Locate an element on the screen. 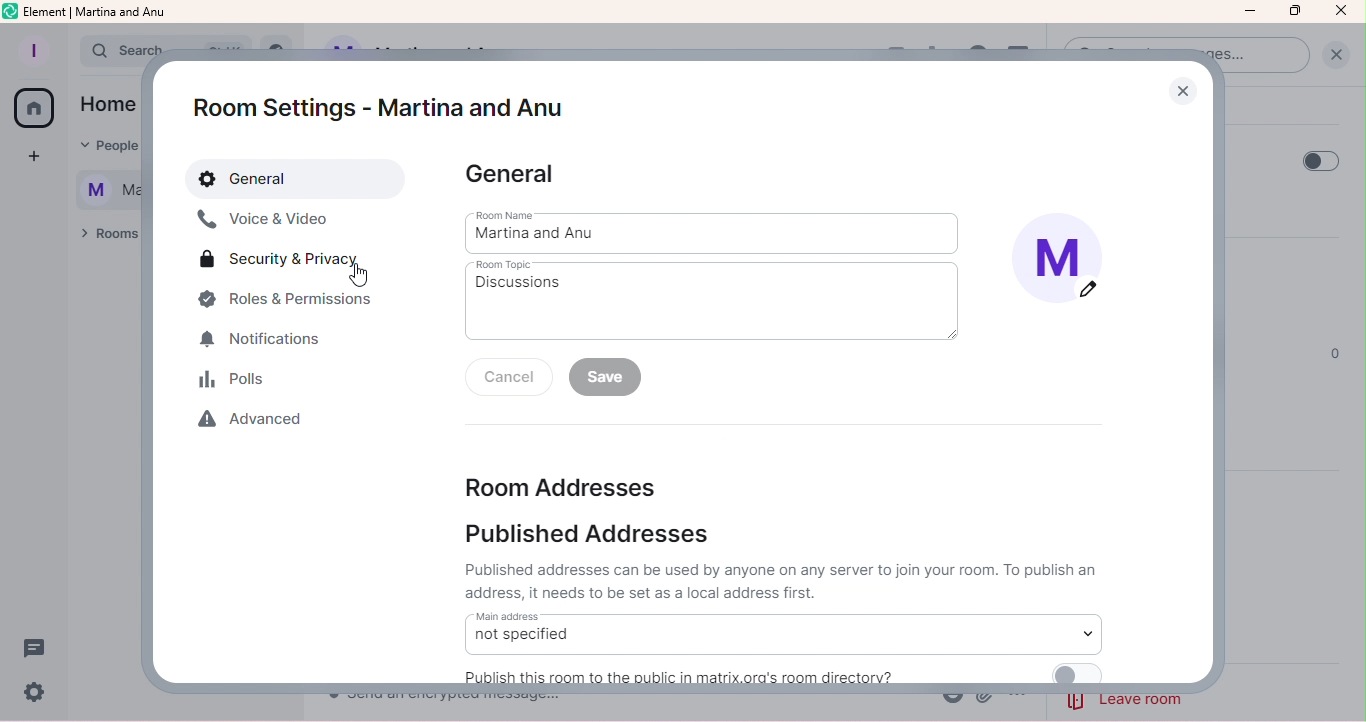 The height and width of the screenshot is (722, 1366). Advanced is located at coordinates (256, 421).